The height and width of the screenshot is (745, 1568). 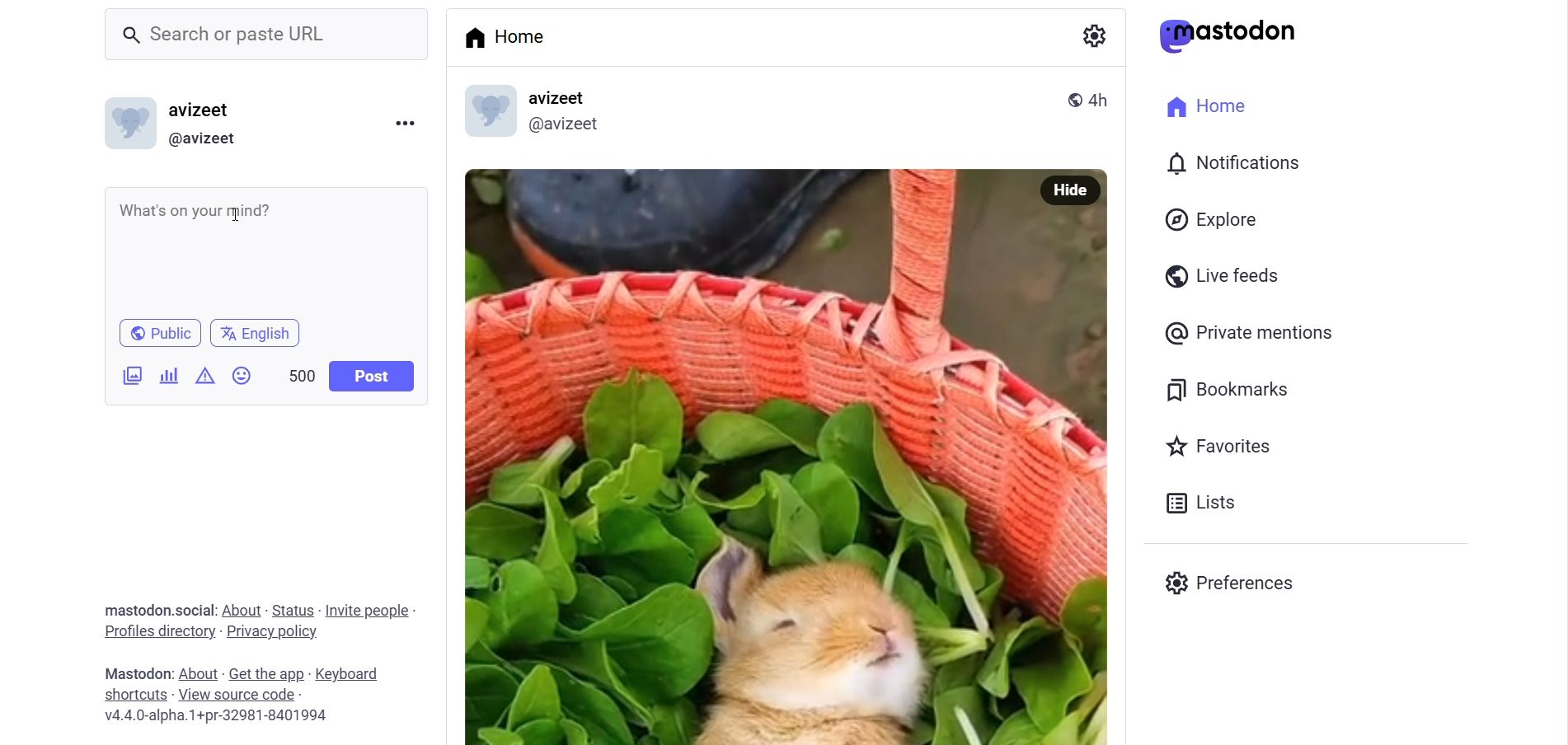 What do you see at coordinates (204, 376) in the screenshot?
I see `Content Warning` at bounding box center [204, 376].